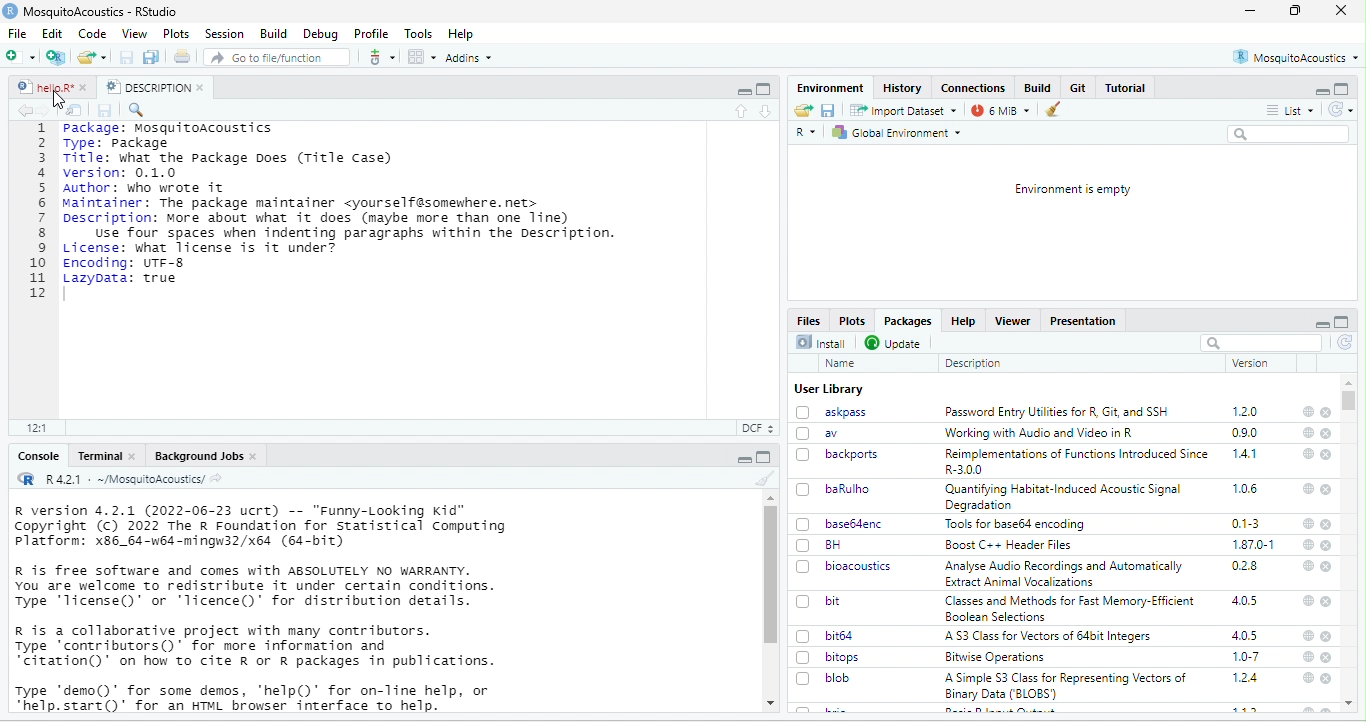 The height and width of the screenshot is (722, 1366). What do you see at coordinates (419, 34) in the screenshot?
I see `Tools` at bounding box center [419, 34].